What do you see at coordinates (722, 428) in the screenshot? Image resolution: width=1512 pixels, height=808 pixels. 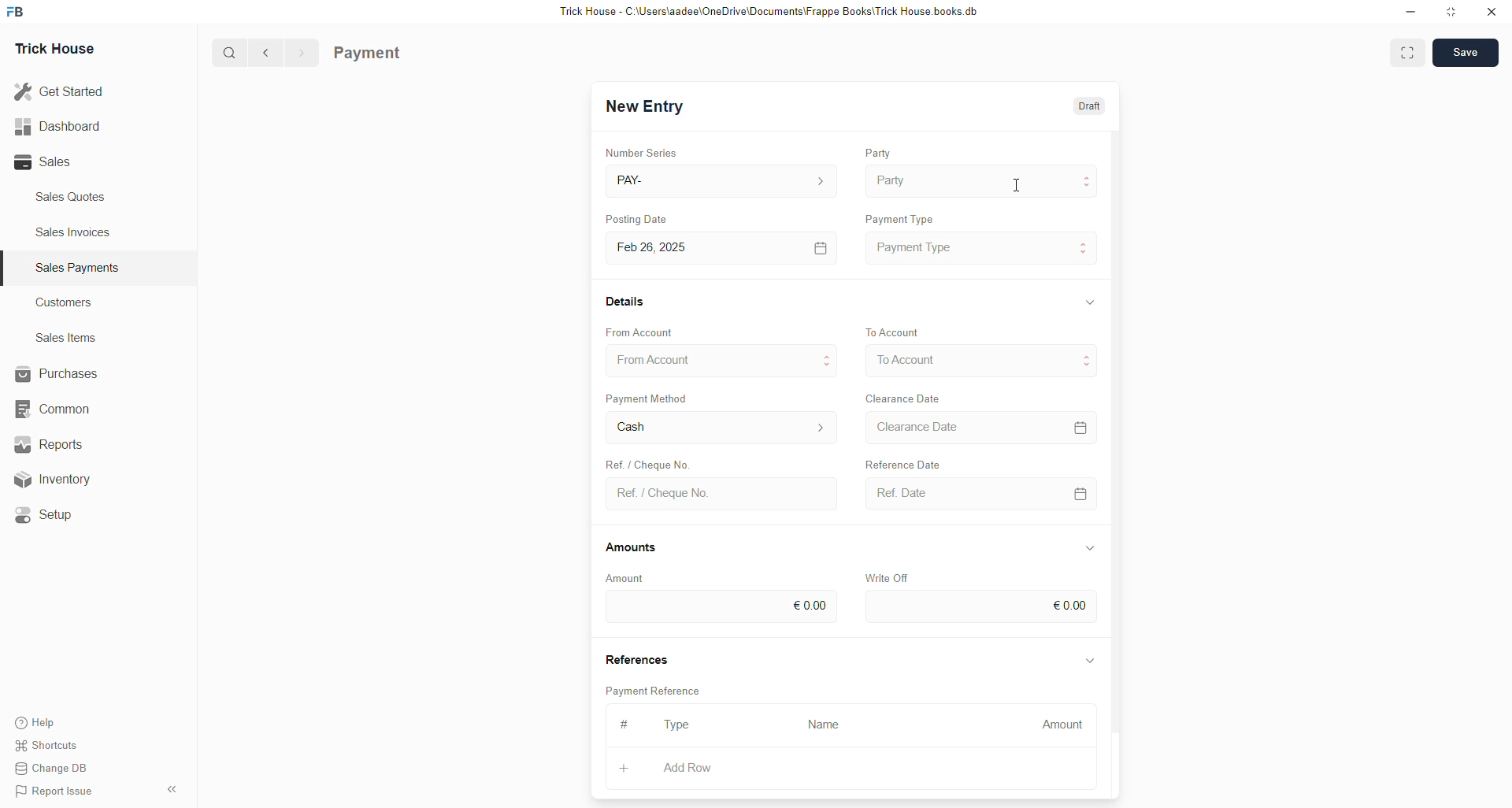 I see `Cash` at bounding box center [722, 428].